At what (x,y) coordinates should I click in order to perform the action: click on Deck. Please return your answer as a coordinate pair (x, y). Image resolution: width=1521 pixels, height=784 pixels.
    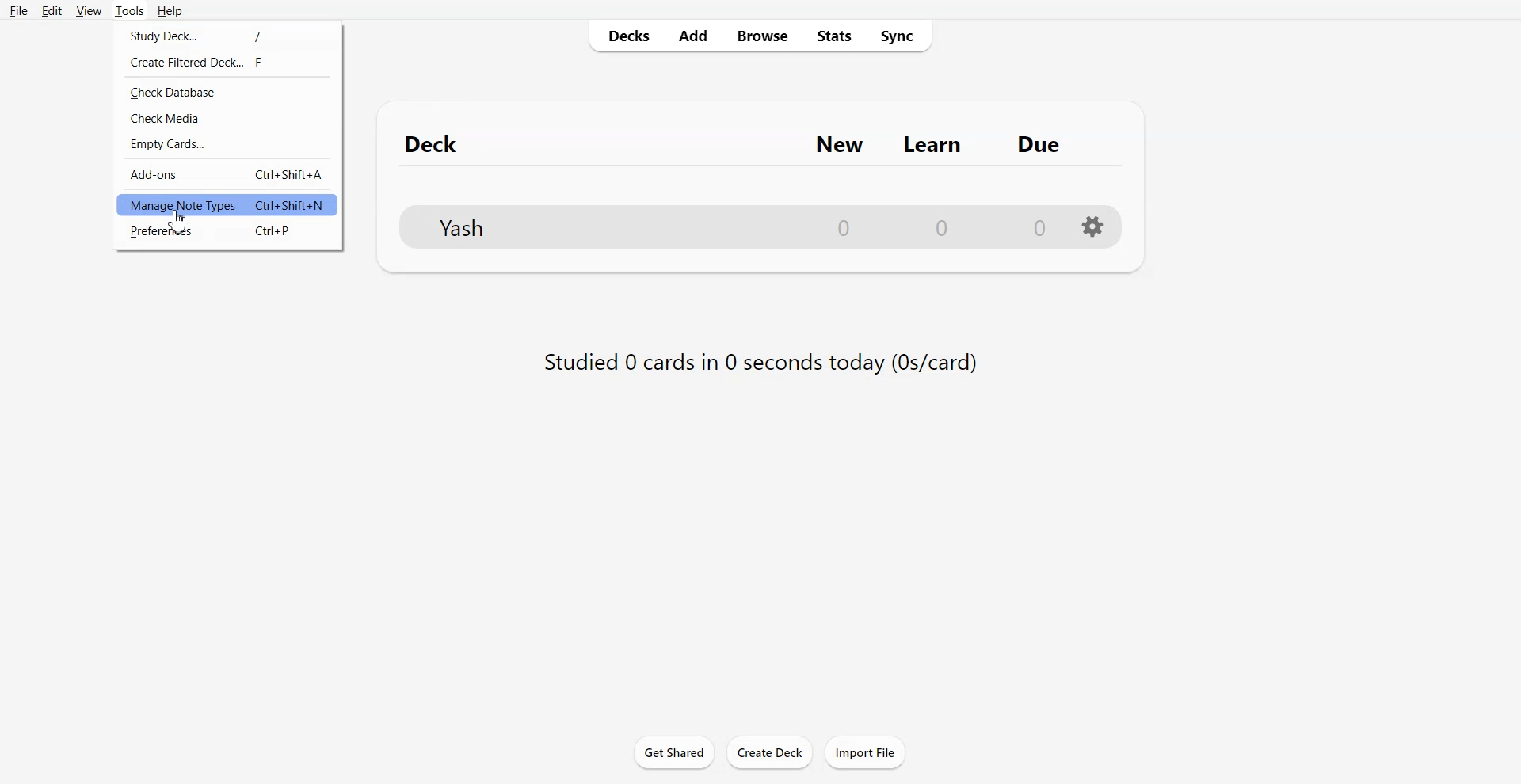
    Looking at the image, I should click on (439, 143).